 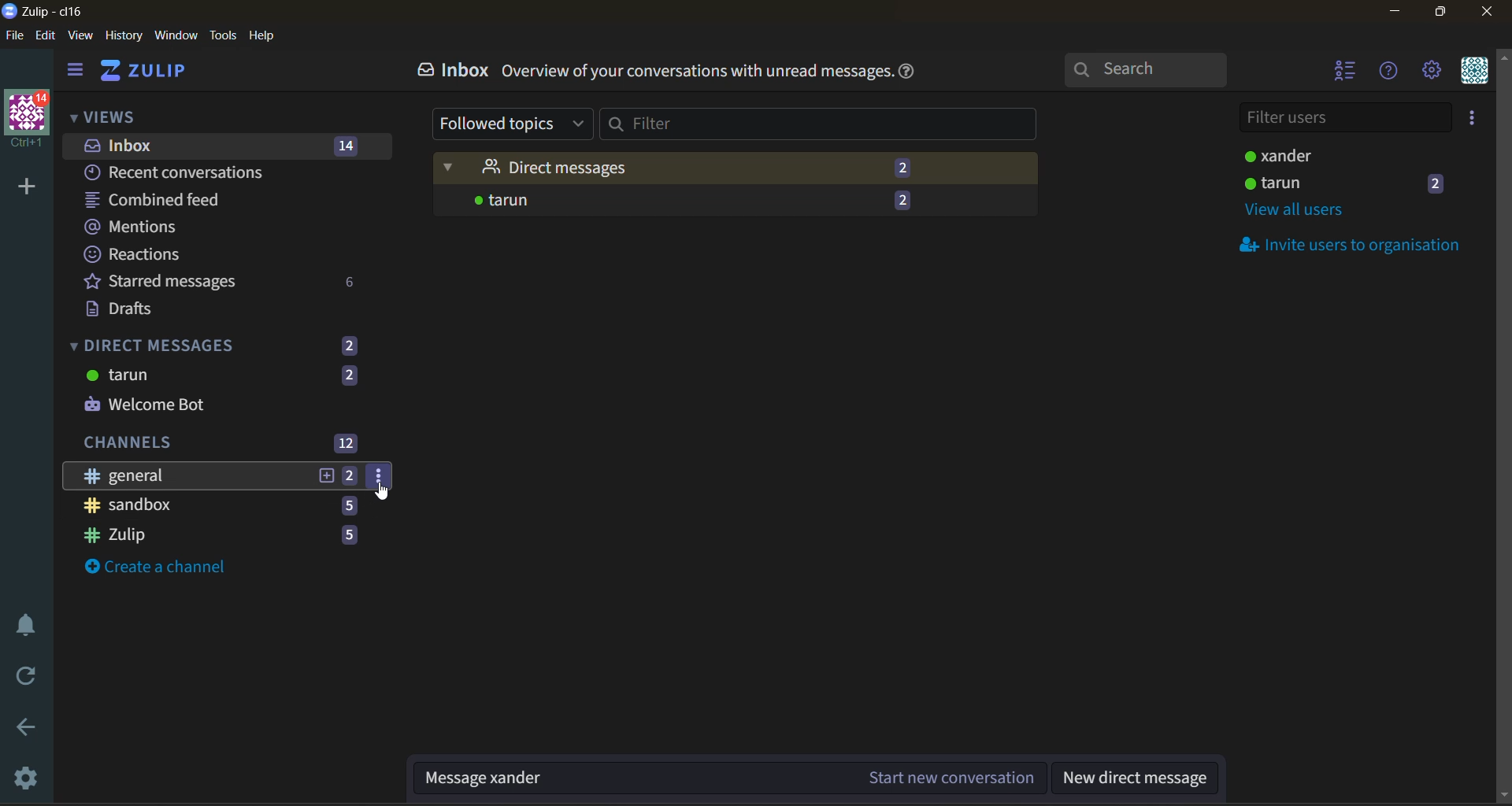 I want to click on edit, so click(x=46, y=36).